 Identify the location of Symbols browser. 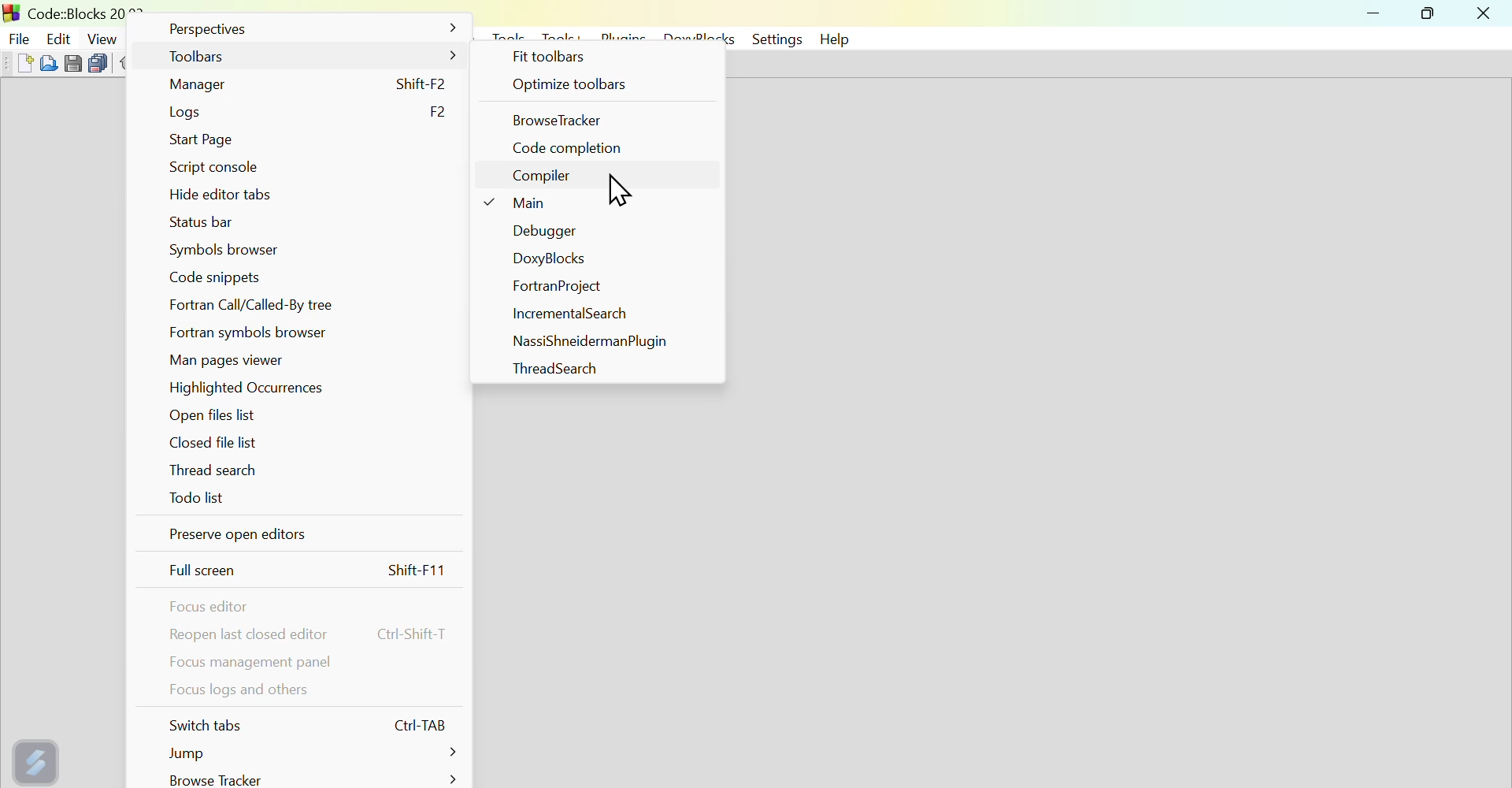
(220, 249).